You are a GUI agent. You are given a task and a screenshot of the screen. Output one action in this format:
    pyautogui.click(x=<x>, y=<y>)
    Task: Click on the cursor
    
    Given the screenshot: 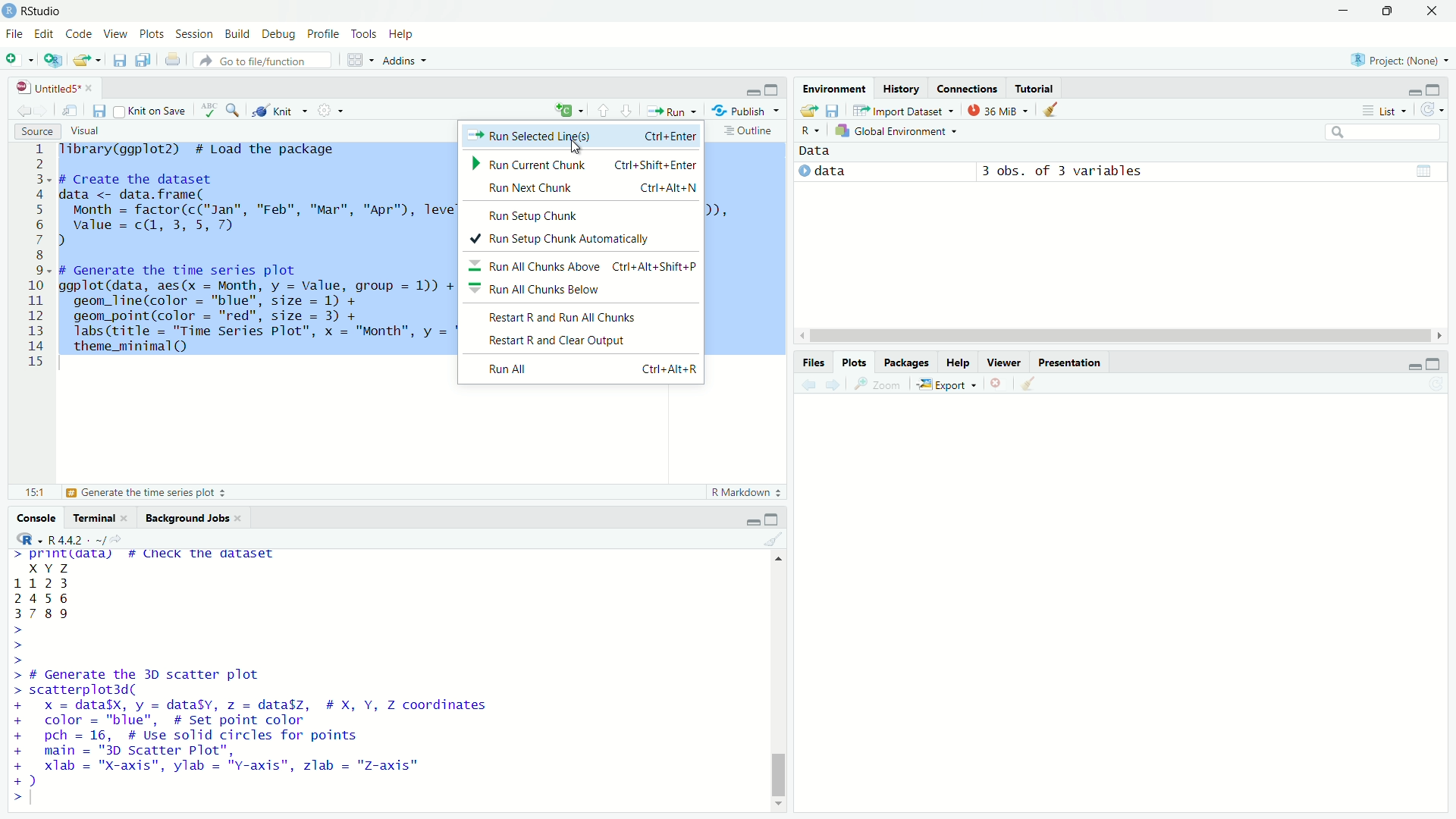 What is the action you would take?
    pyautogui.click(x=573, y=146)
    